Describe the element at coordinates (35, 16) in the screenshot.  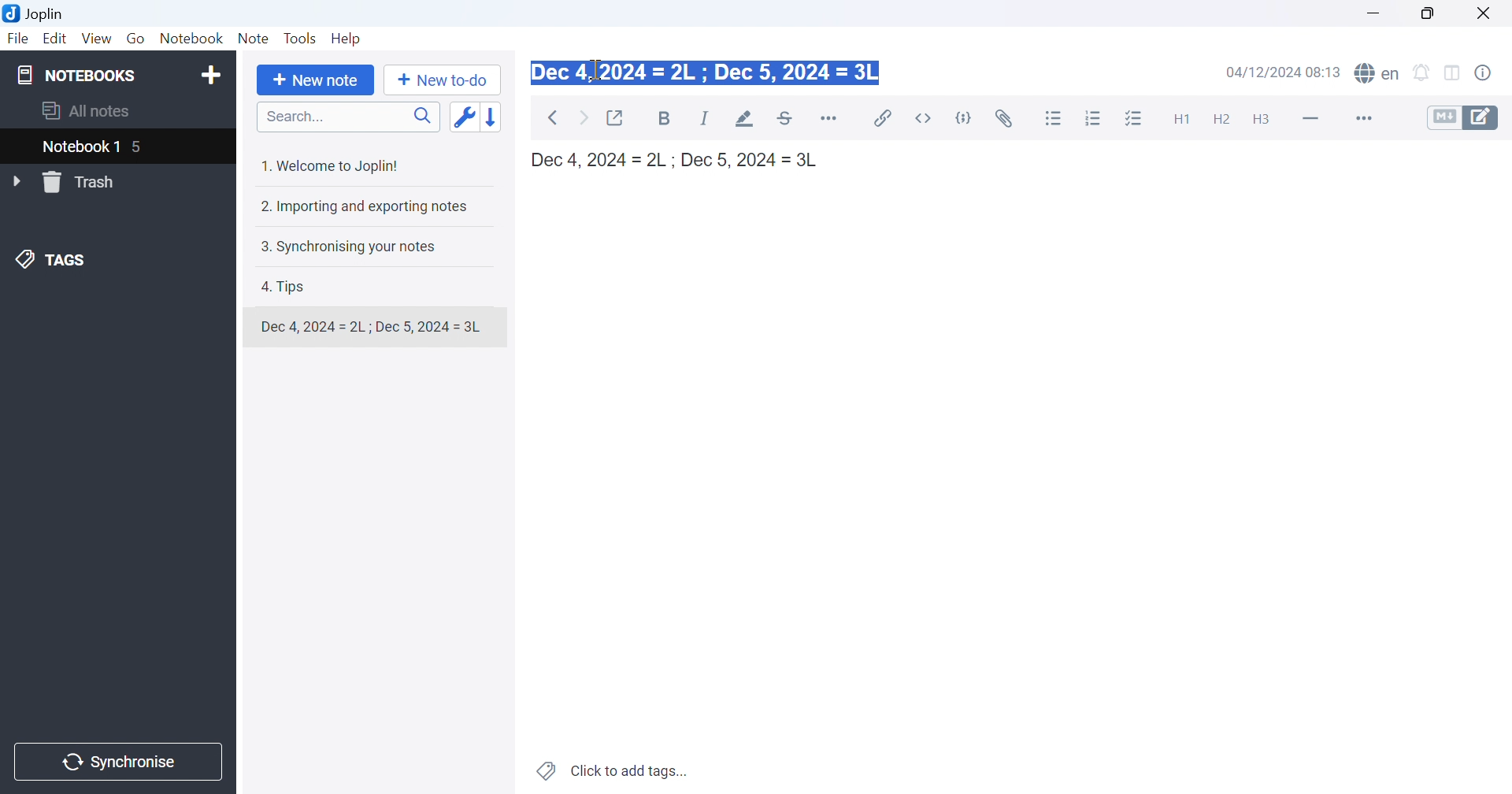
I see `Joplin` at that location.